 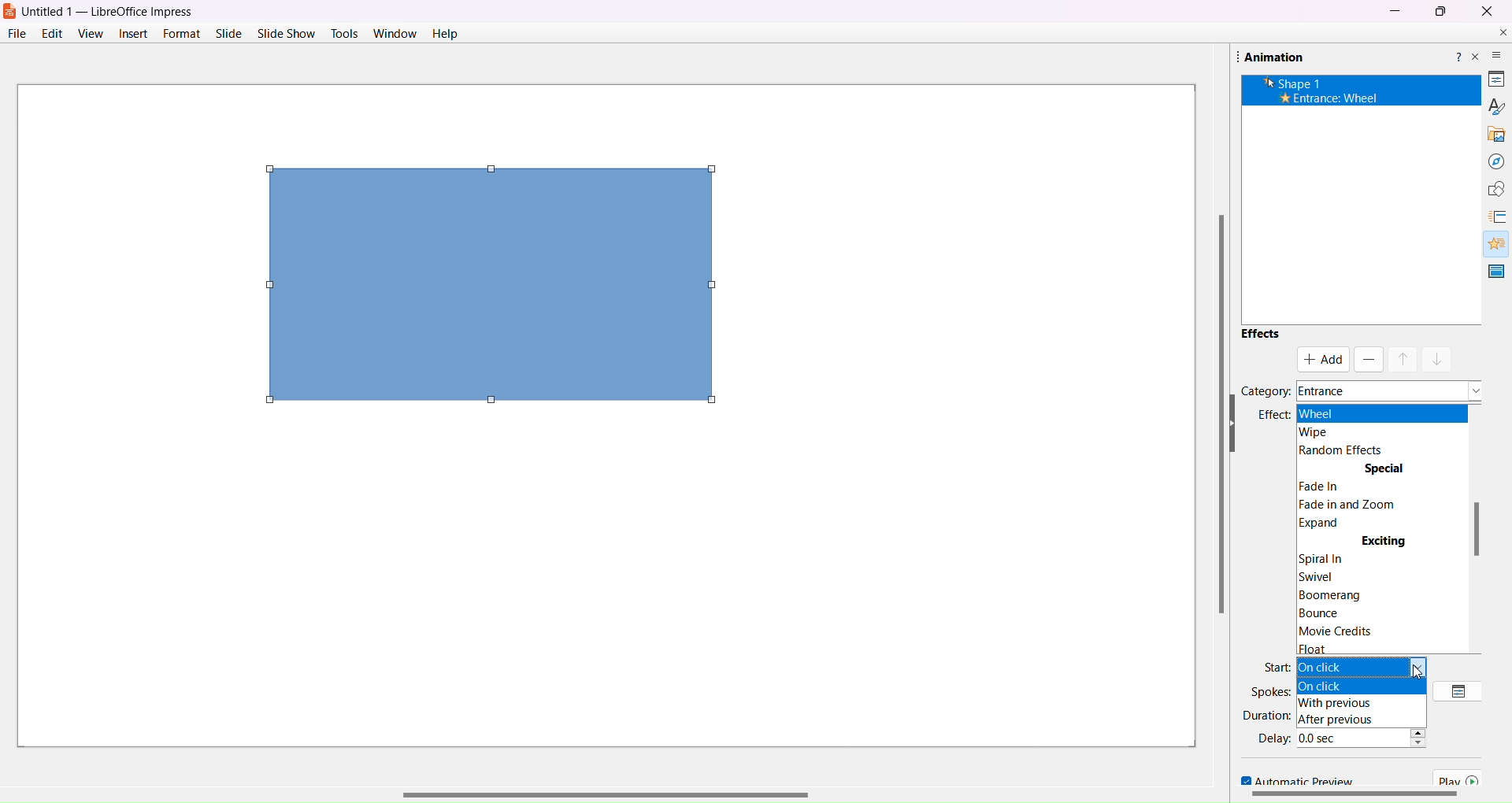 I want to click on 7x Shape 1
% Entrance: Wheel, so click(x=1324, y=90).